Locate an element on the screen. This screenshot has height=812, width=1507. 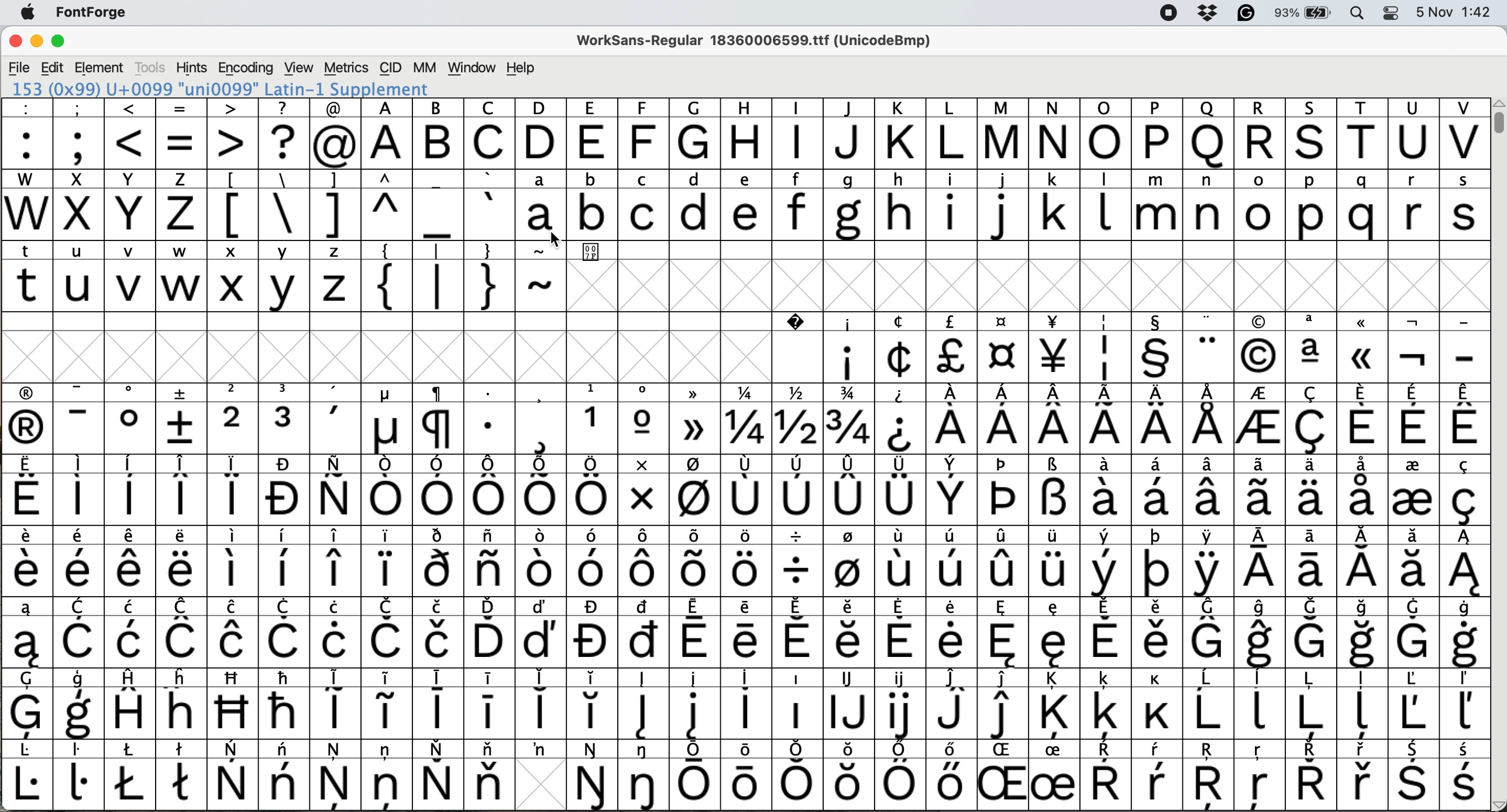
symbol is located at coordinates (234, 490).